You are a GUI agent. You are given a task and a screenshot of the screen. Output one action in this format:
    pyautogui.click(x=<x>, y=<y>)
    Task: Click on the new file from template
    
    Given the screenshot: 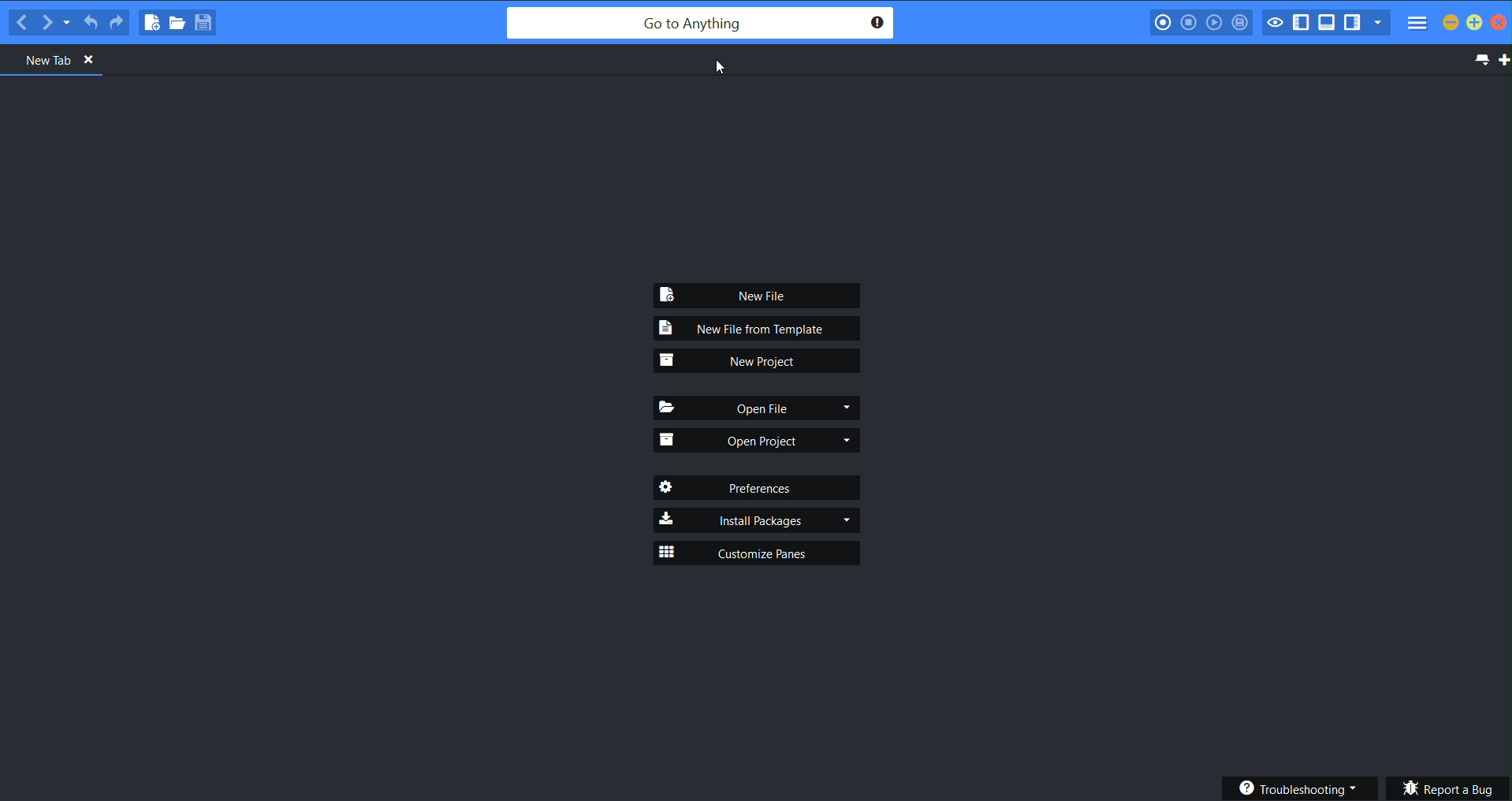 What is the action you would take?
    pyautogui.click(x=762, y=330)
    